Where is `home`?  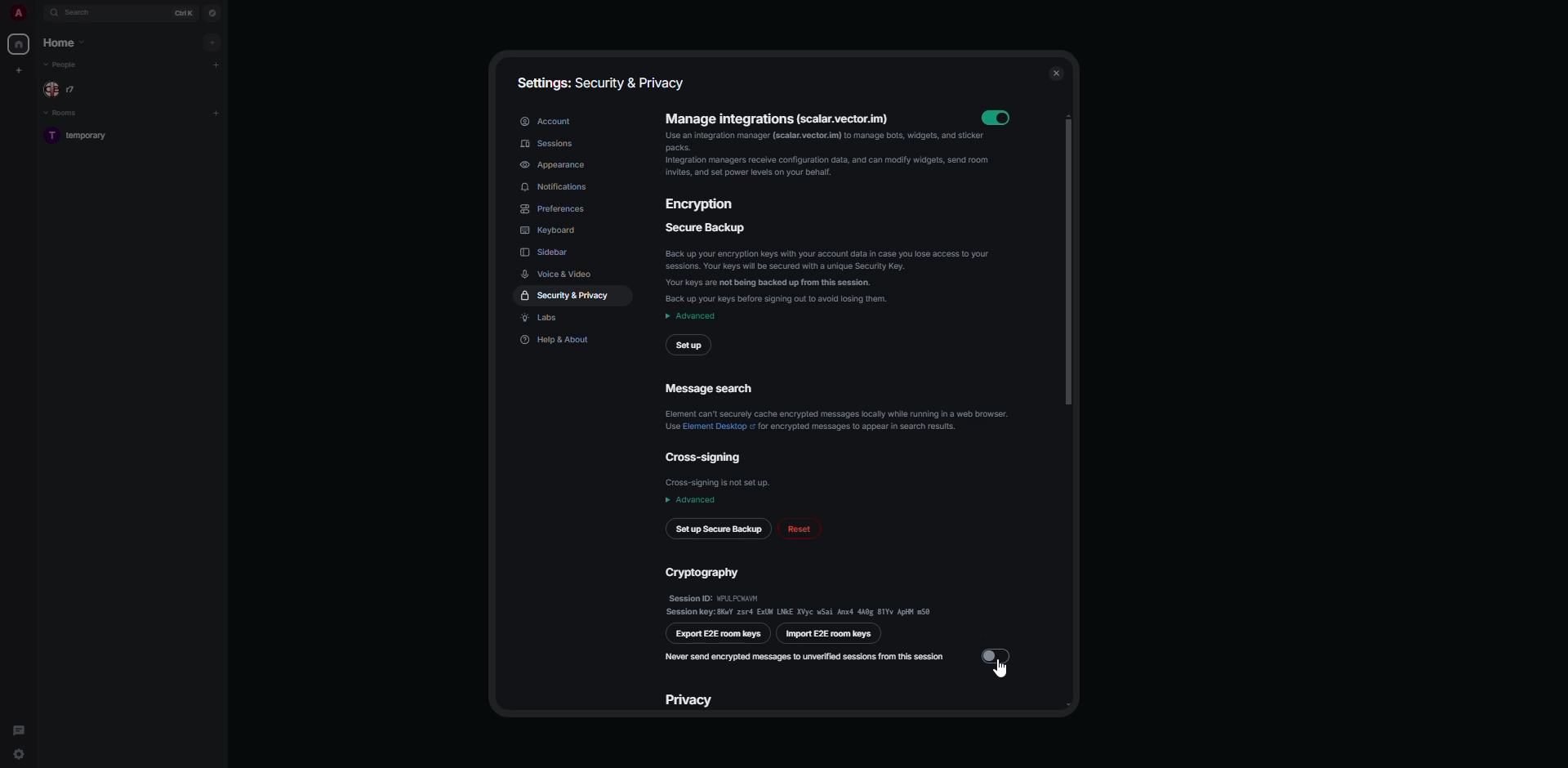
home is located at coordinates (20, 44).